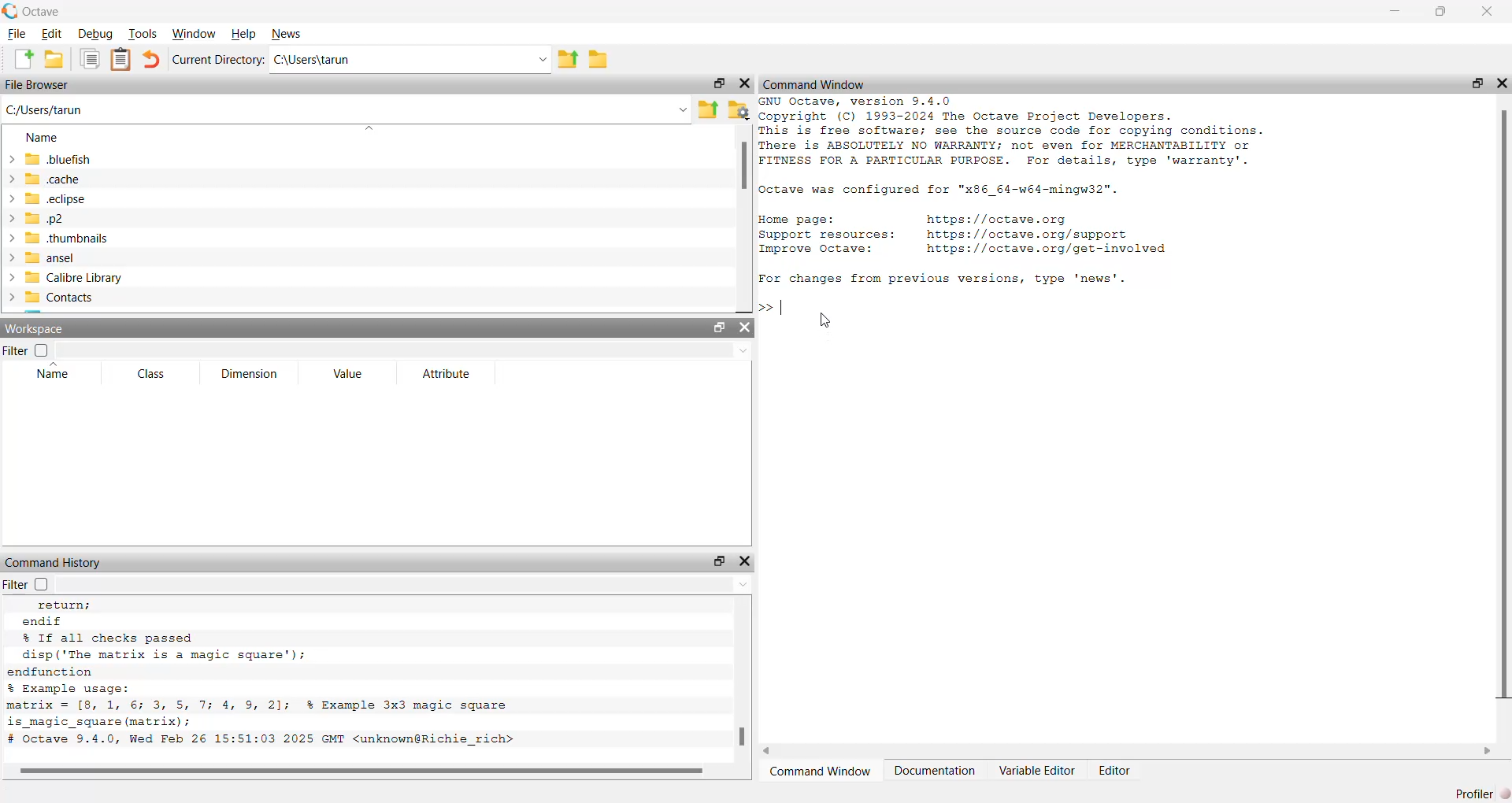 Image resolution: width=1512 pixels, height=803 pixels. I want to click on .eclipse, so click(46, 198).